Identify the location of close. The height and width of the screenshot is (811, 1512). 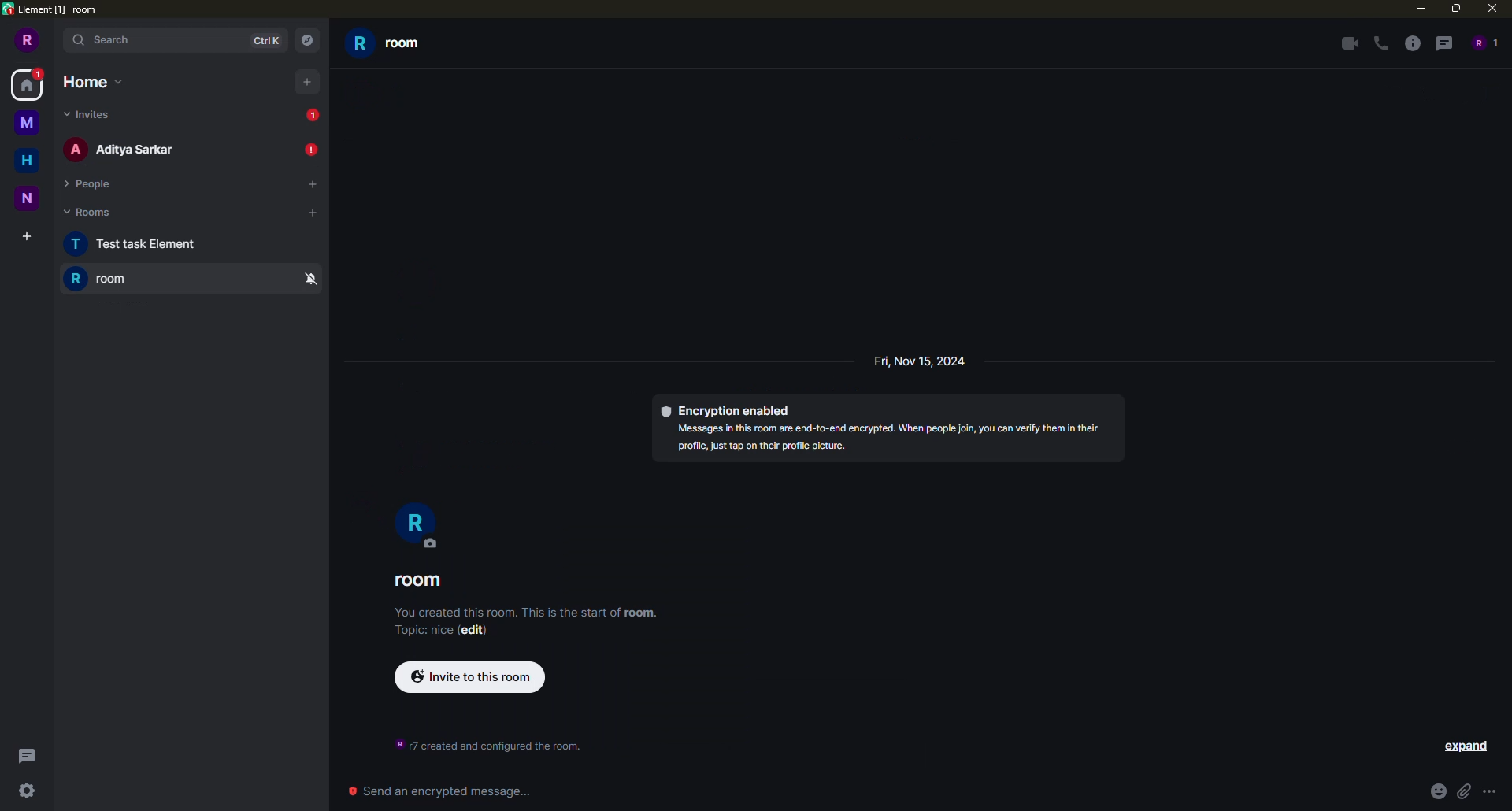
(1492, 8).